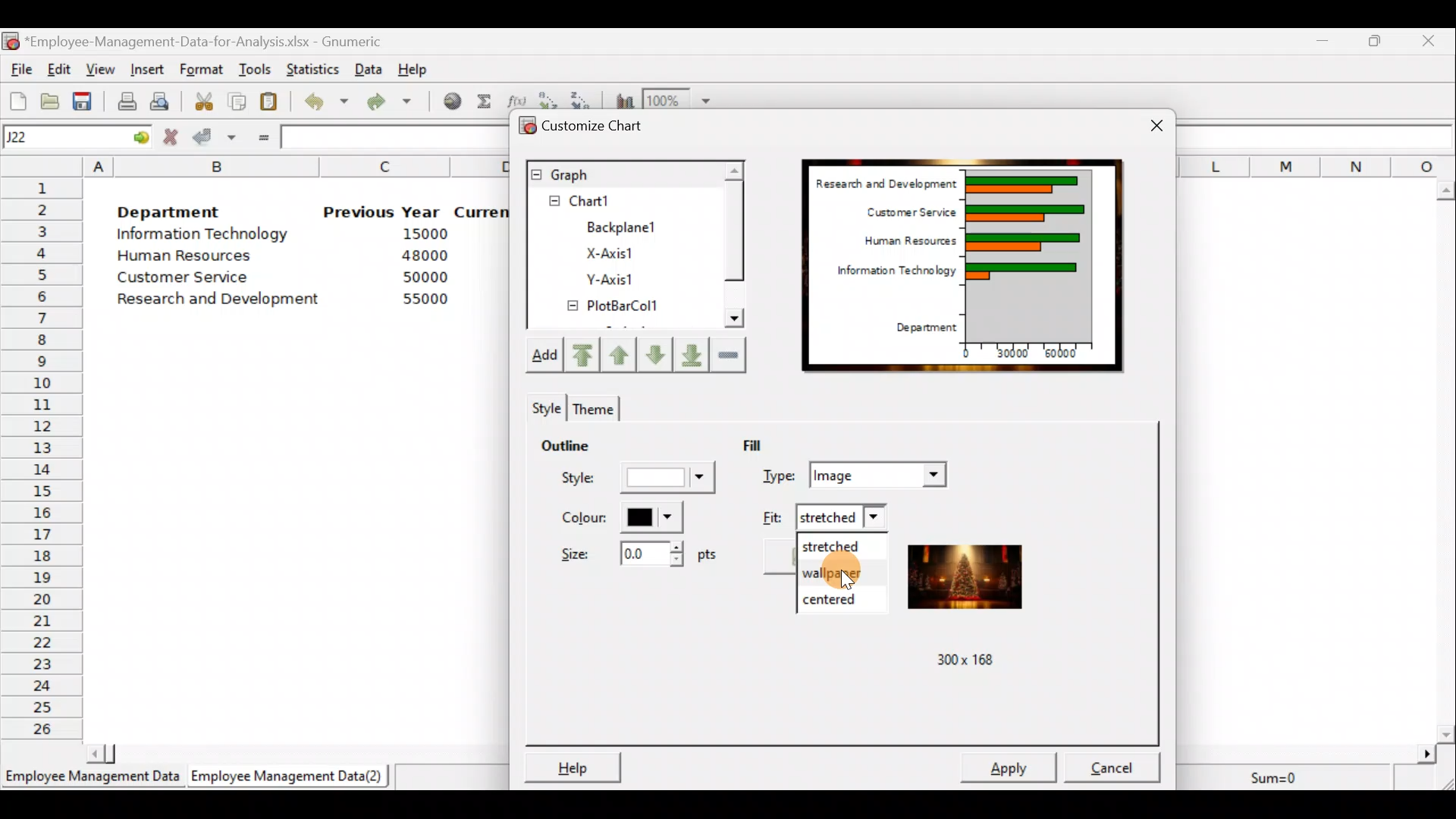 Image resolution: width=1456 pixels, height=819 pixels. I want to click on Theme, so click(597, 406).